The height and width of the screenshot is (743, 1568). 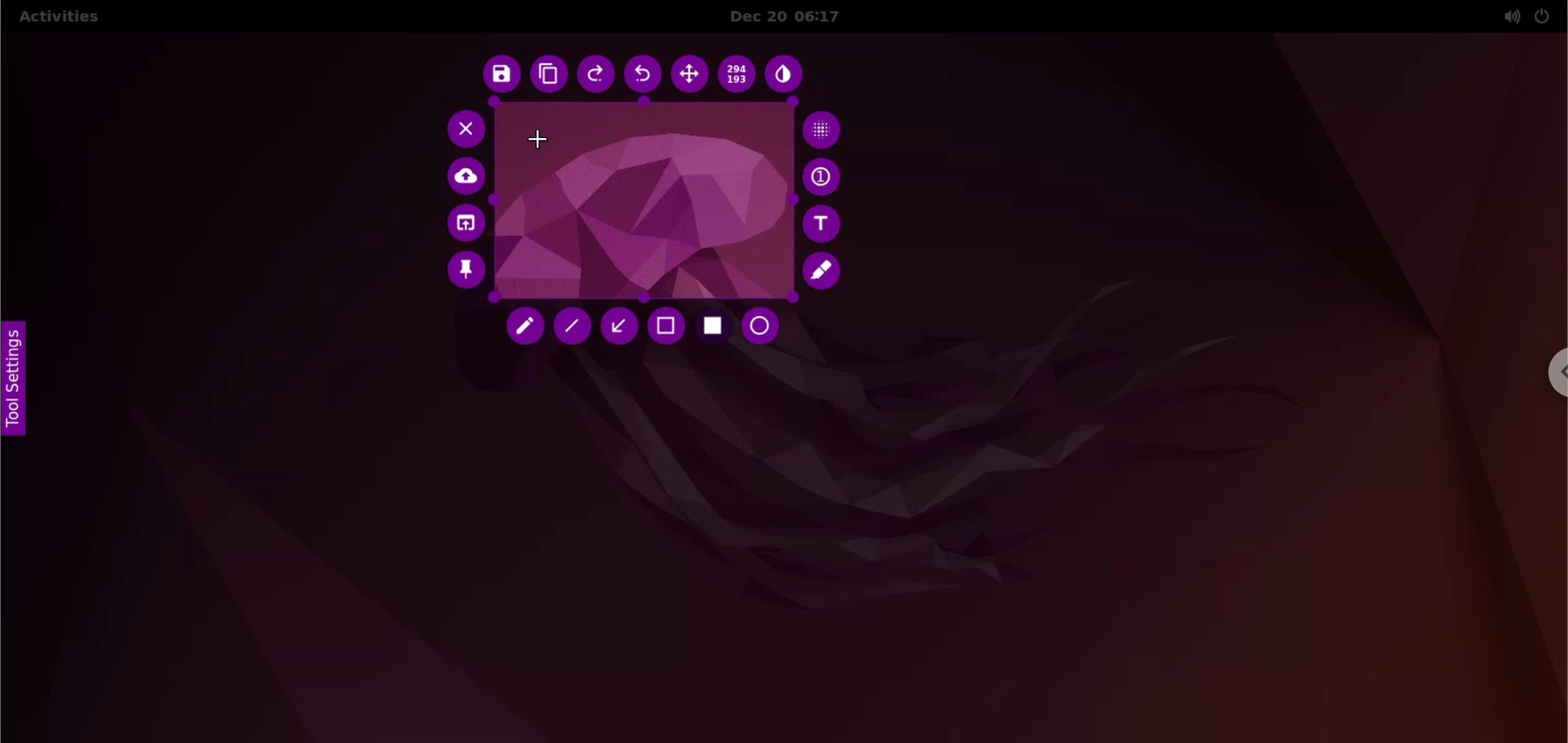 What do you see at coordinates (786, 77) in the screenshot?
I see `inverter tool` at bounding box center [786, 77].